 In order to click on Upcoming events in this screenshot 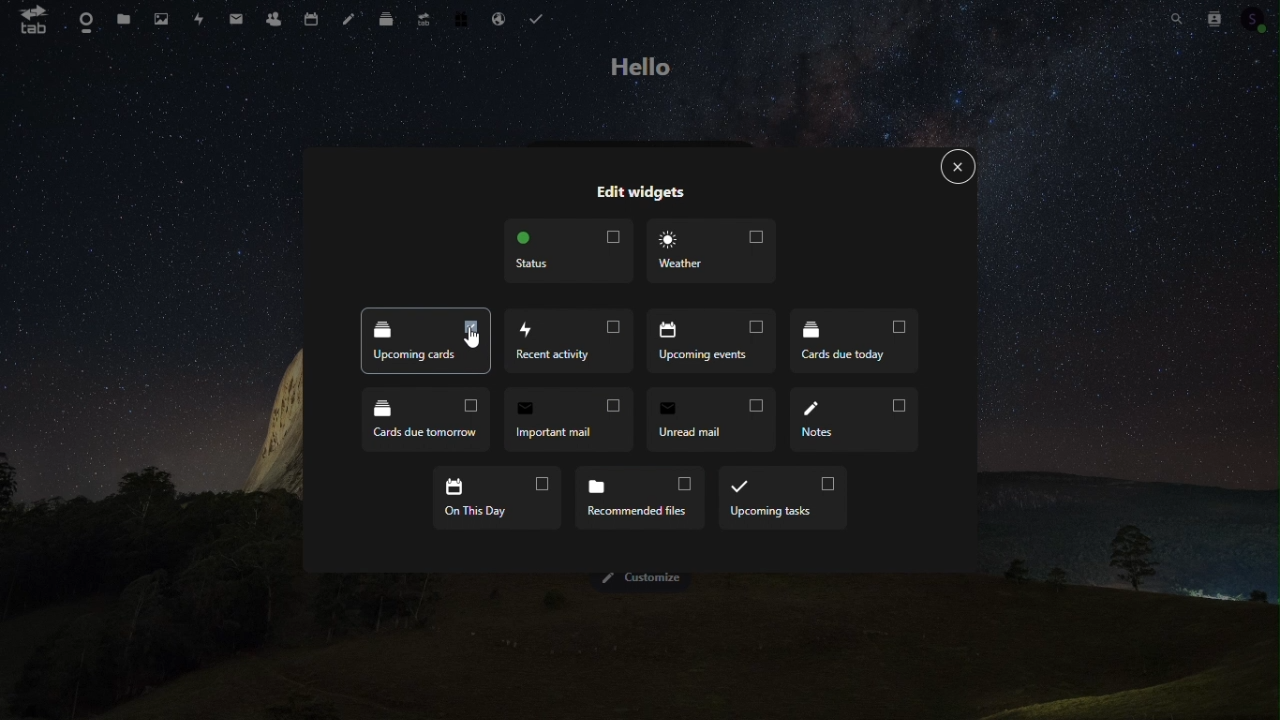, I will do `click(709, 340)`.